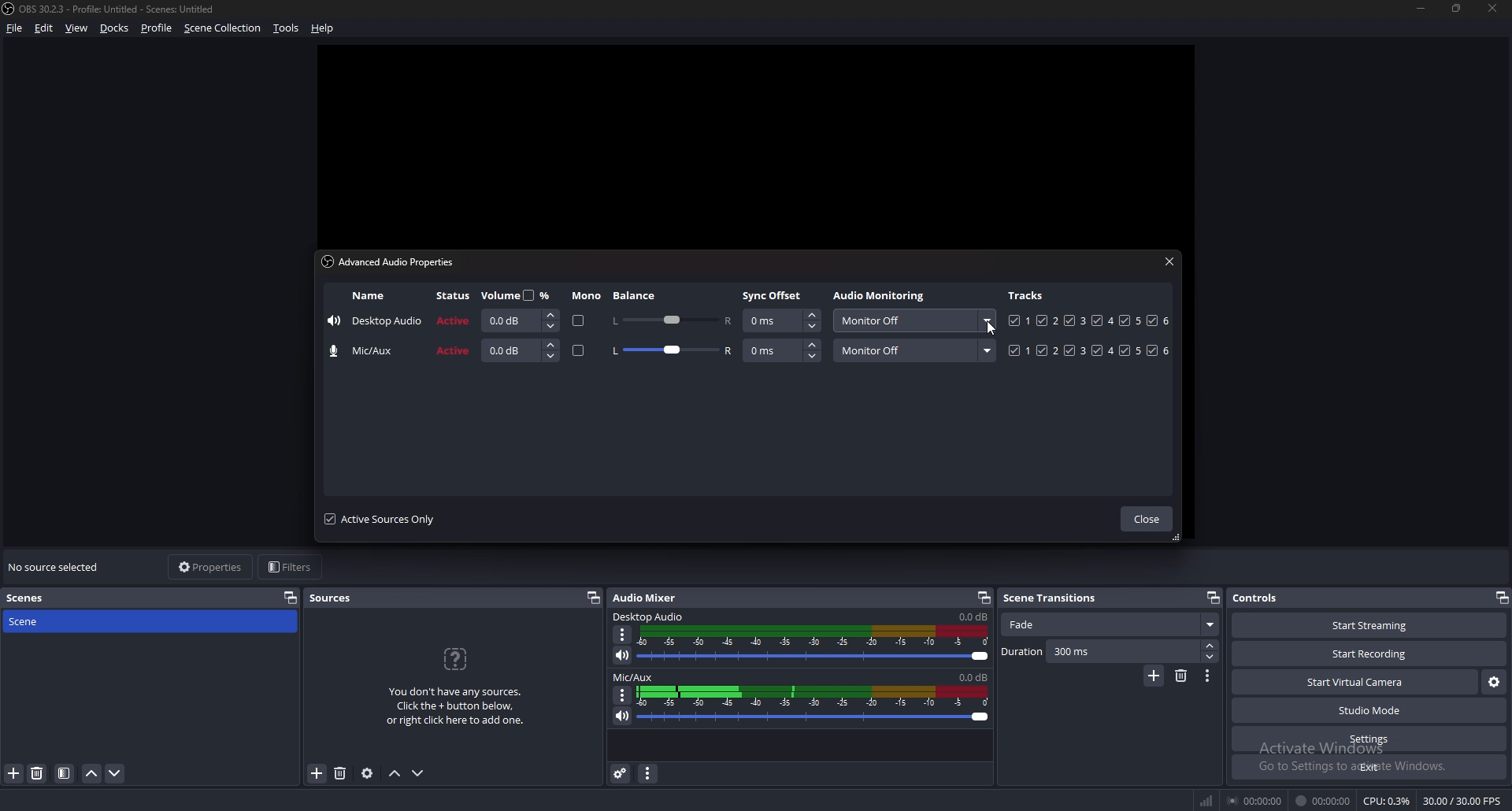 The width and height of the screenshot is (1512, 811). Describe the element at coordinates (521, 350) in the screenshot. I see `volume input` at that location.